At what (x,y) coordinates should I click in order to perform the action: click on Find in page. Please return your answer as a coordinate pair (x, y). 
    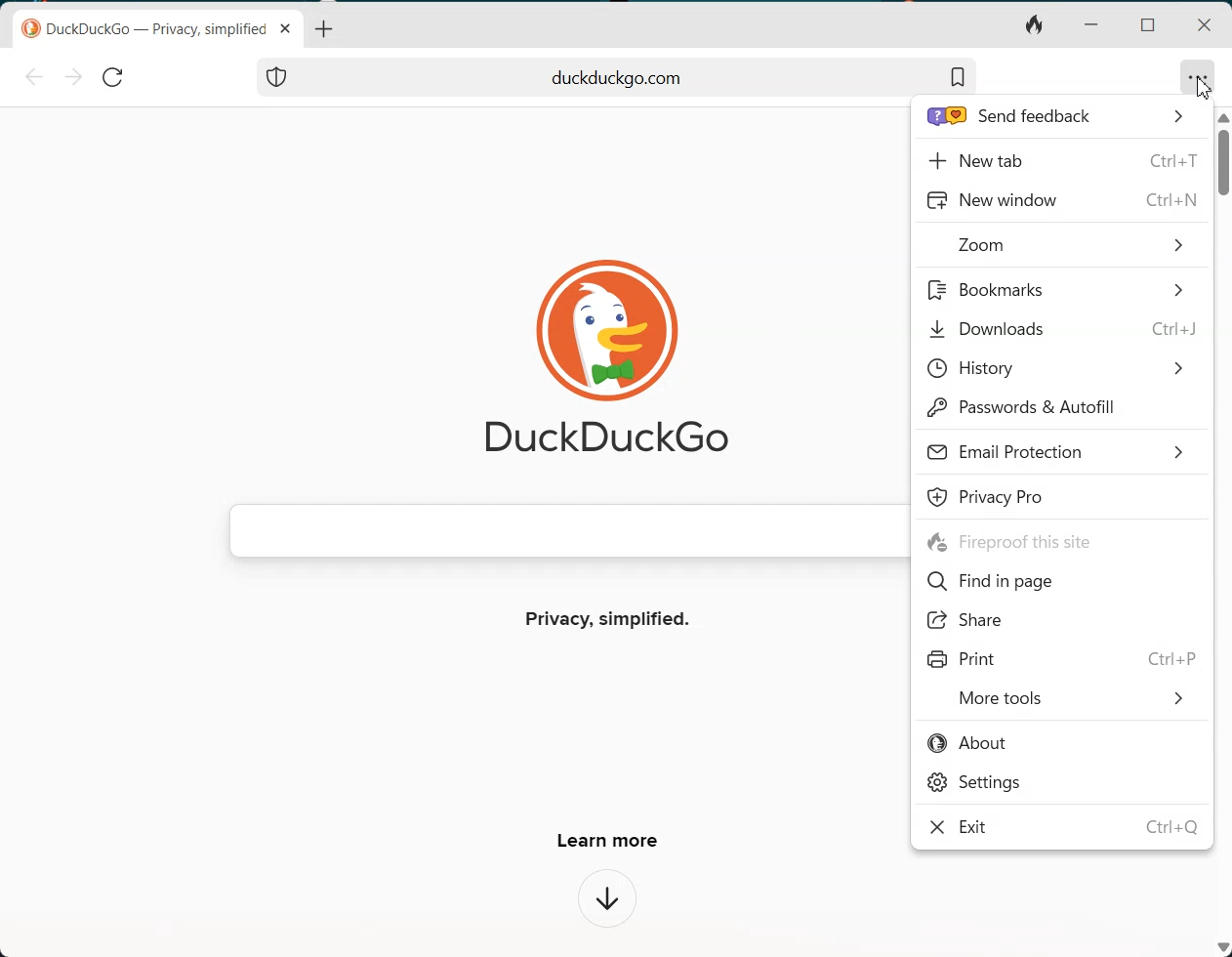
    Looking at the image, I should click on (1065, 579).